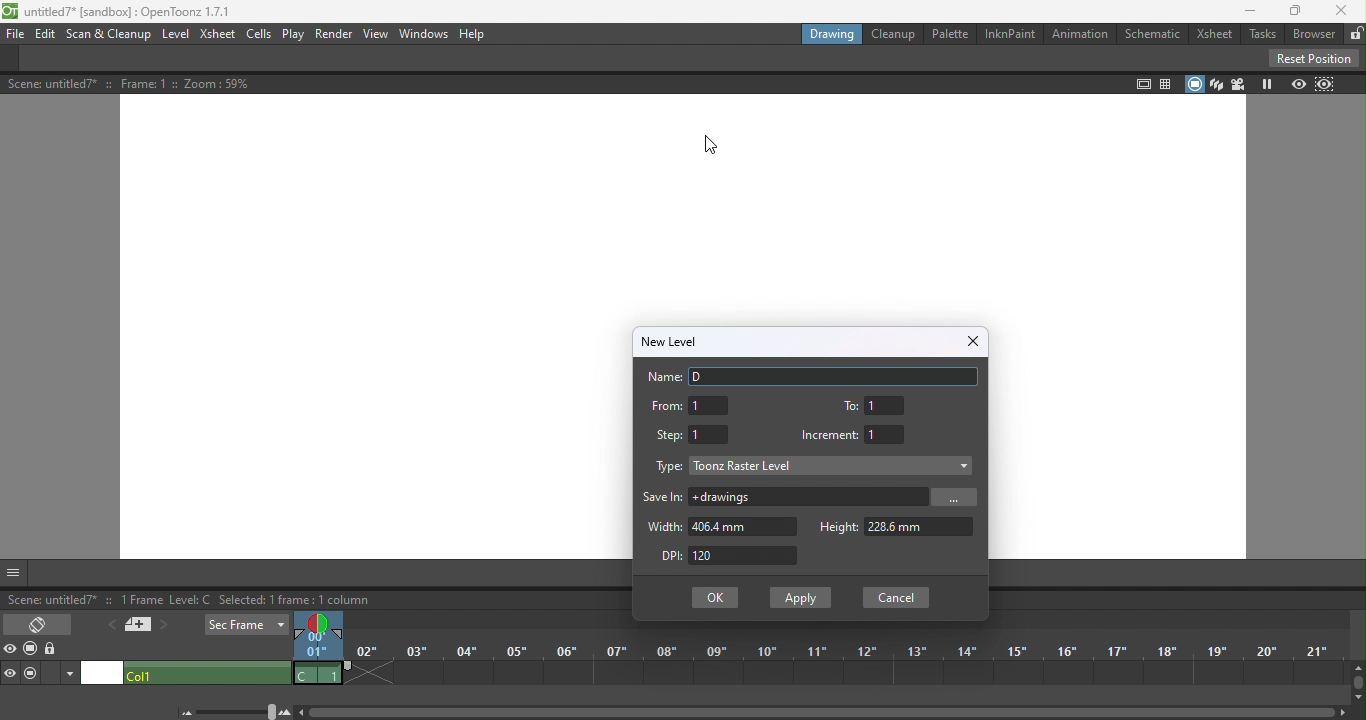  Describe the element at coordinates (164, 627) in the screenshot. I see `Next memo` at that location.